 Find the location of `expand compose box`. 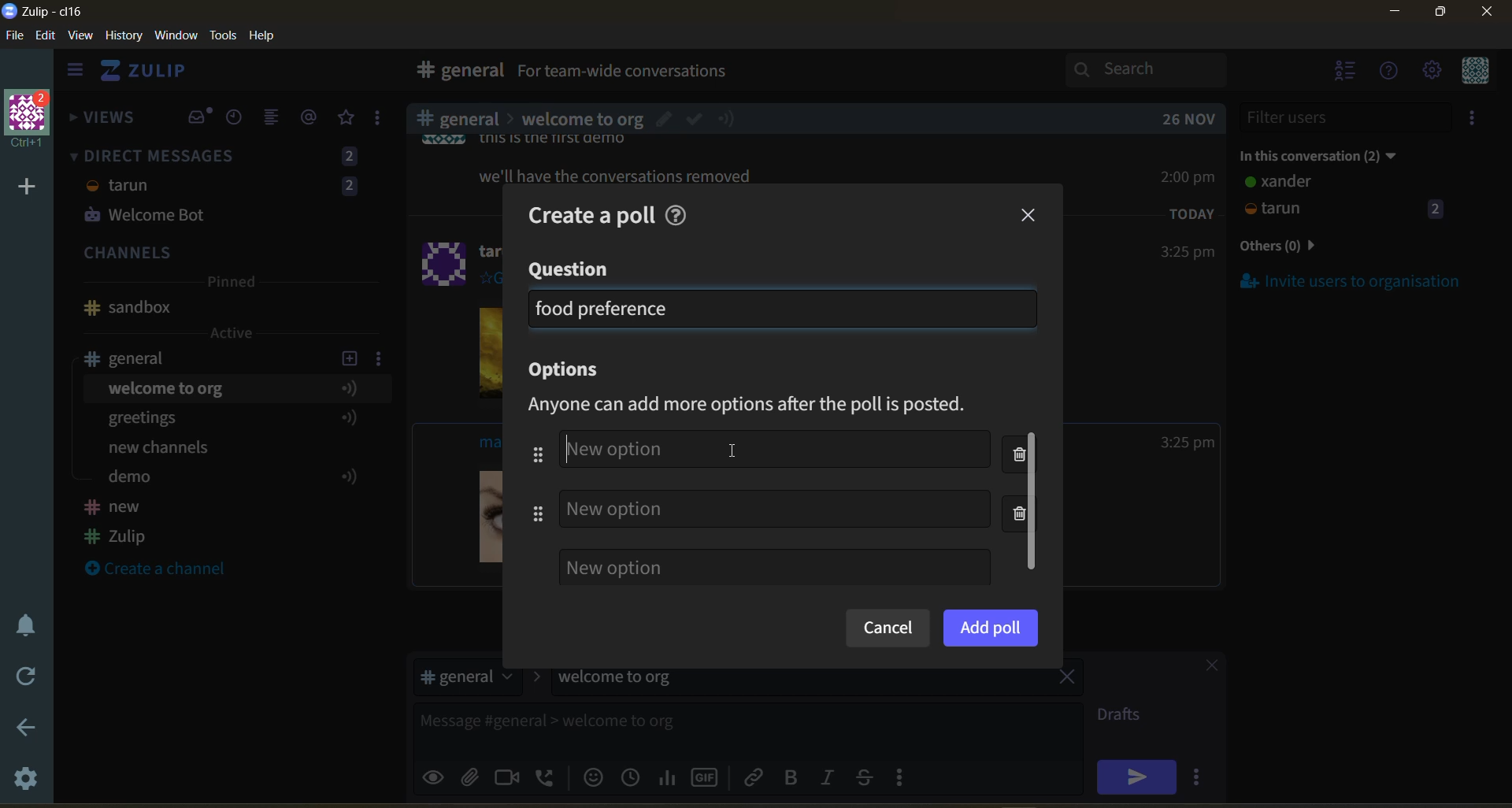

expand compose box is located at coordinates (1068, 715).